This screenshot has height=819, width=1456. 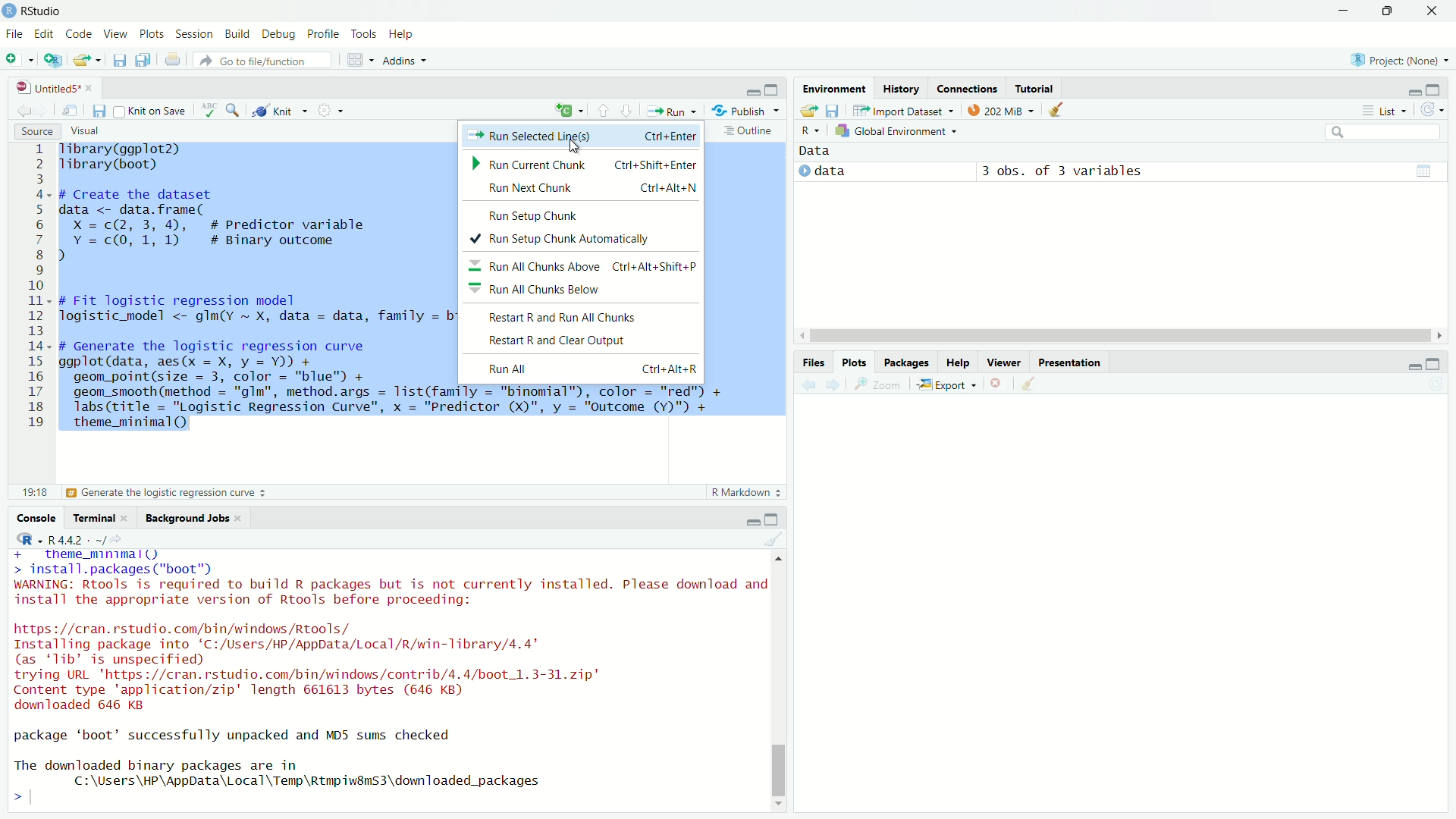 I want to click on Connections, so click(x=967, y=88).